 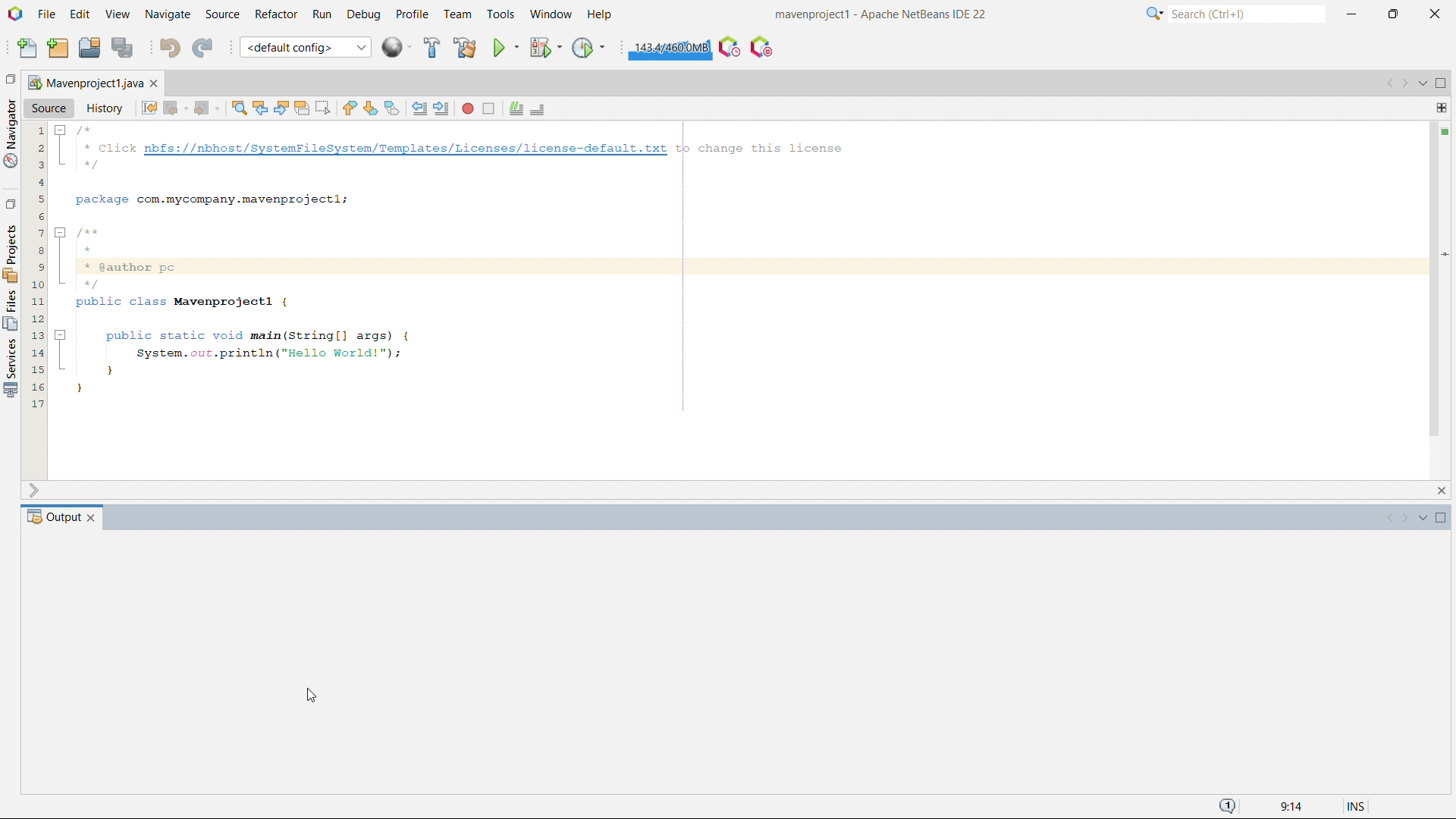 I want to click on build project, so click(x=431, y=48).